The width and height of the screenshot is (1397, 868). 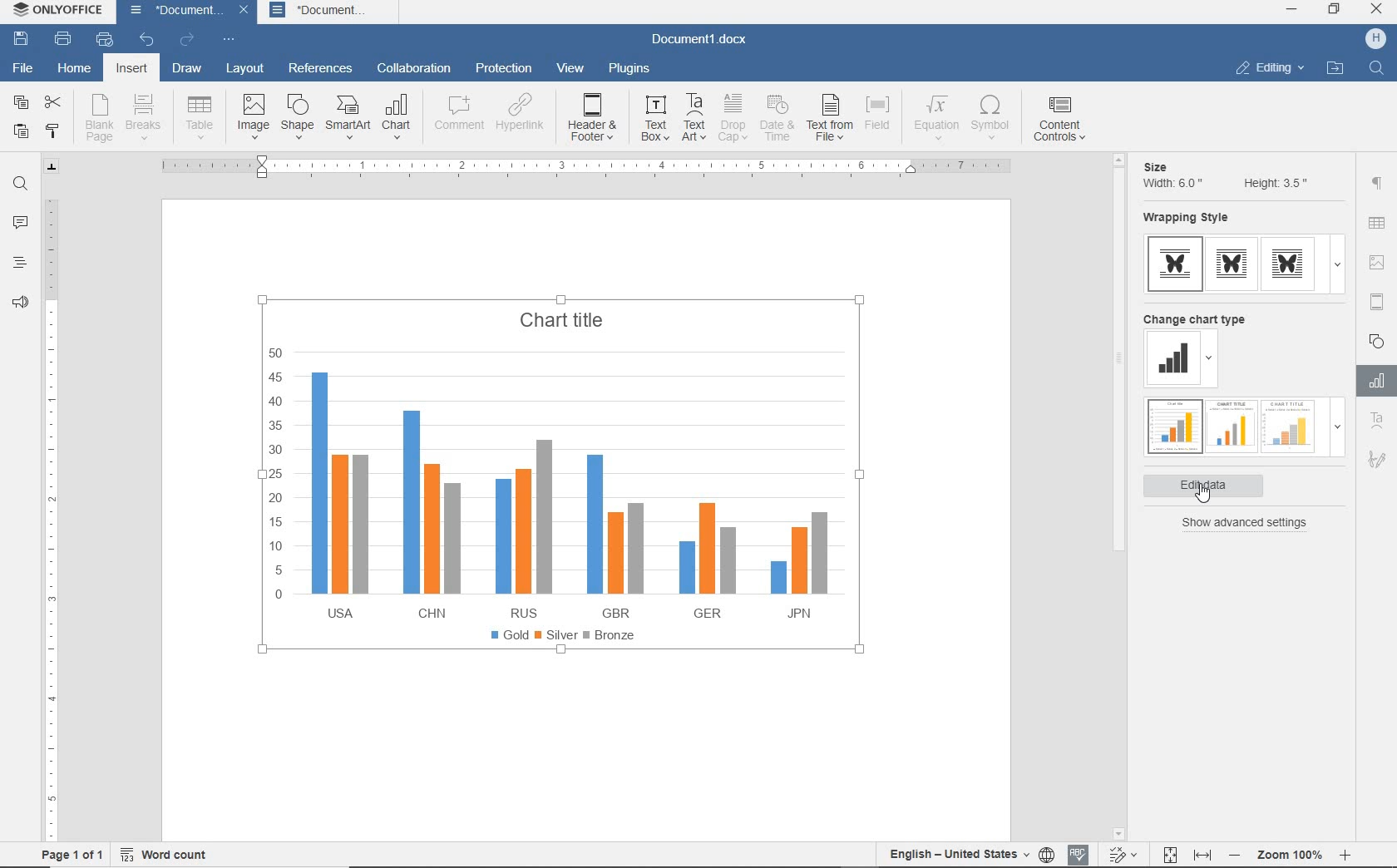 What do you see at coordinates (503, 67) in the screenshot?
I see `protection` at bounding box center [503, 67].